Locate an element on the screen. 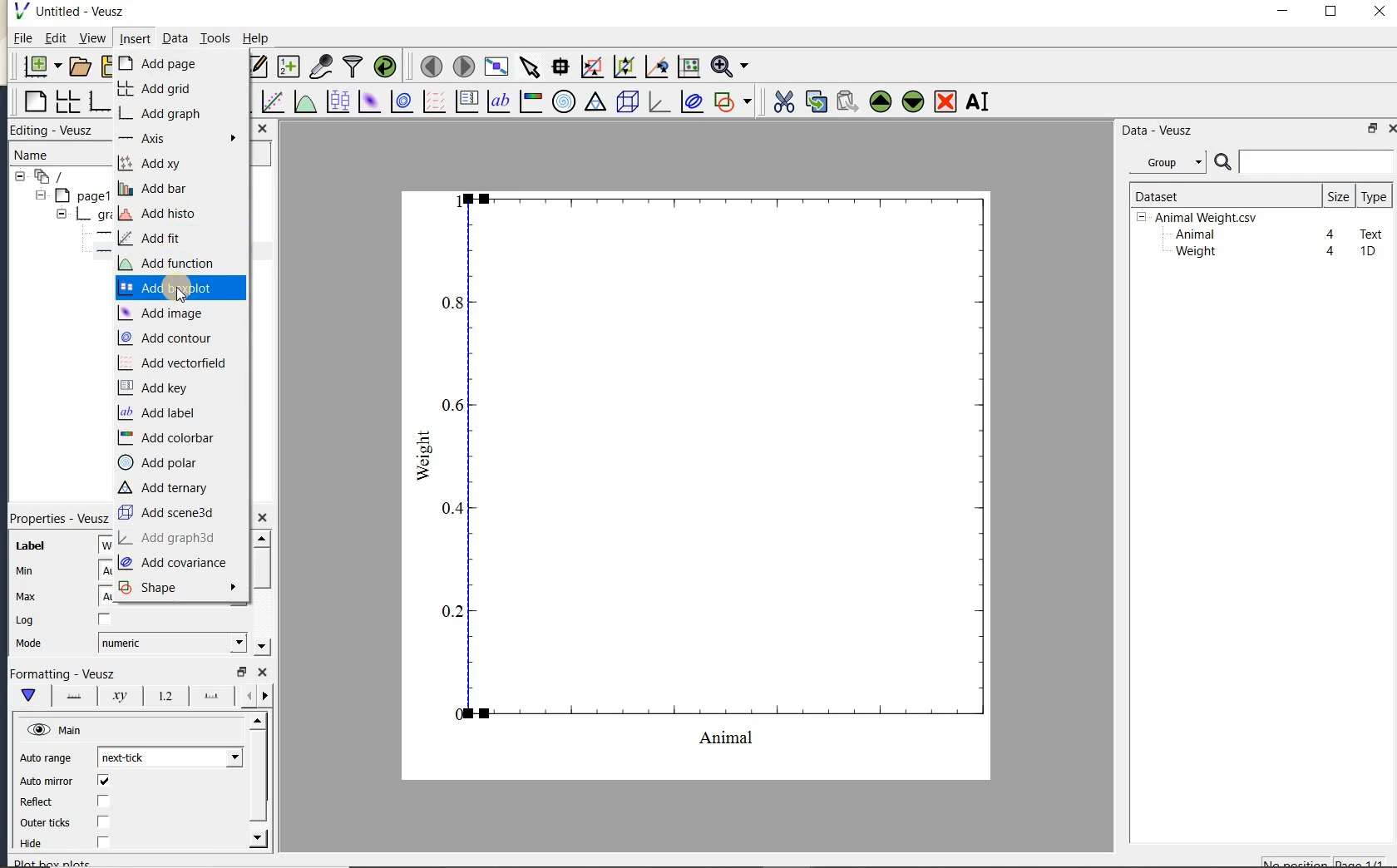 Image resolution: width=1397 pixels, height=868 pixels. Max is located at coordinates (26, 596).